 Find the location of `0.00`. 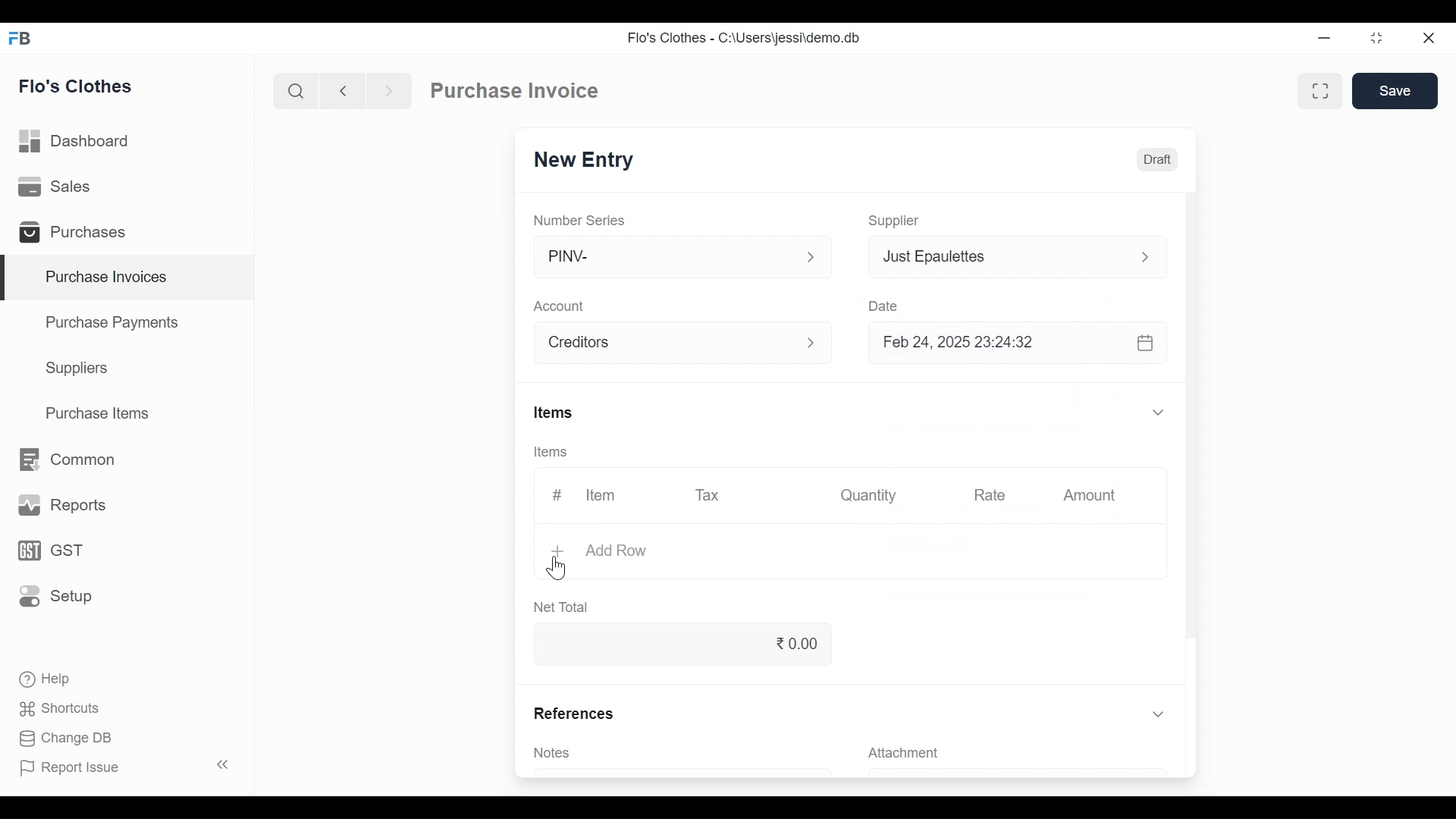

0.00 is located at coordinates (679, 643).